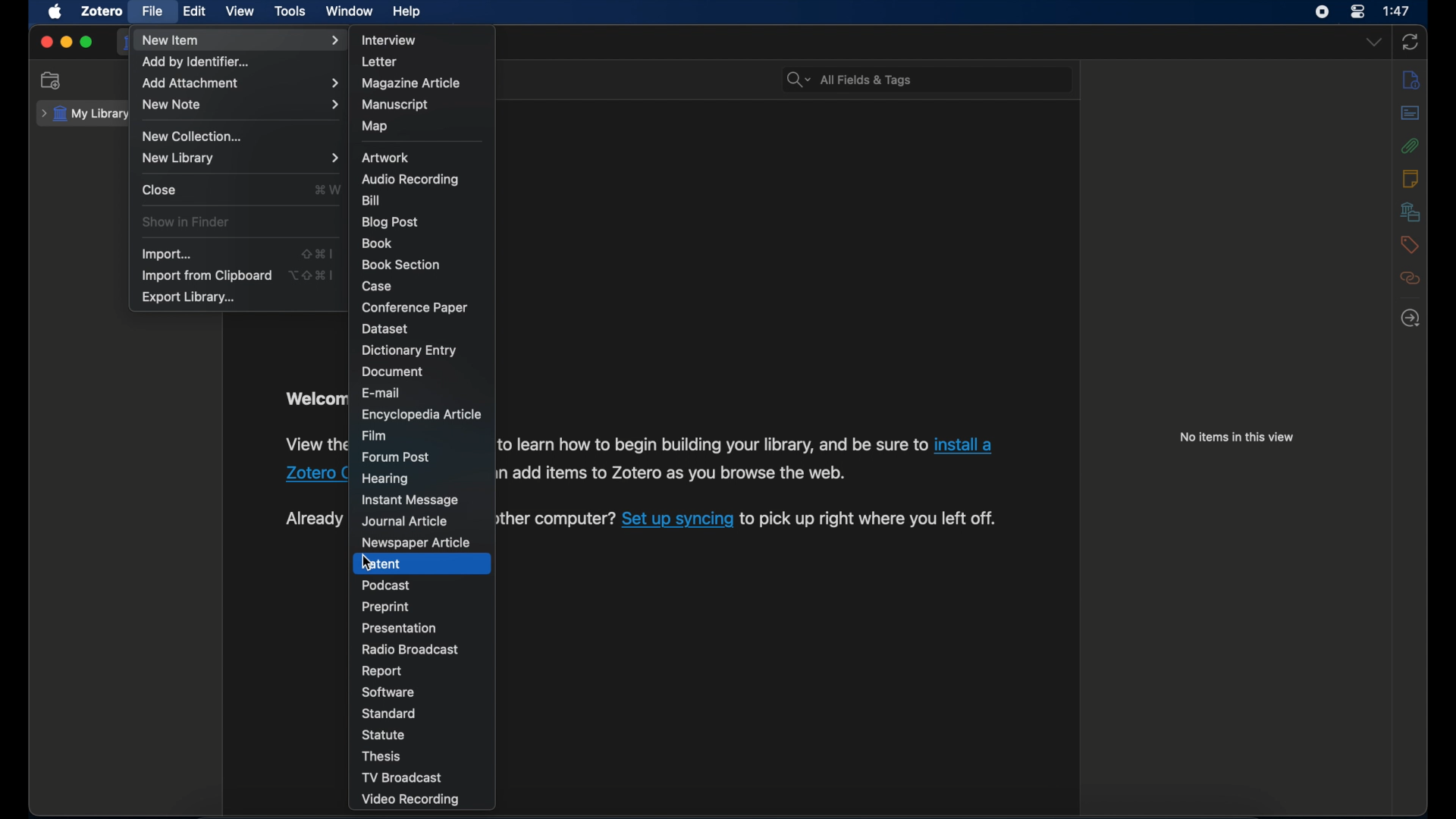  Describe the element at coordinates (410, 649) in the screenshot. I see `radio broadcast` at that location.